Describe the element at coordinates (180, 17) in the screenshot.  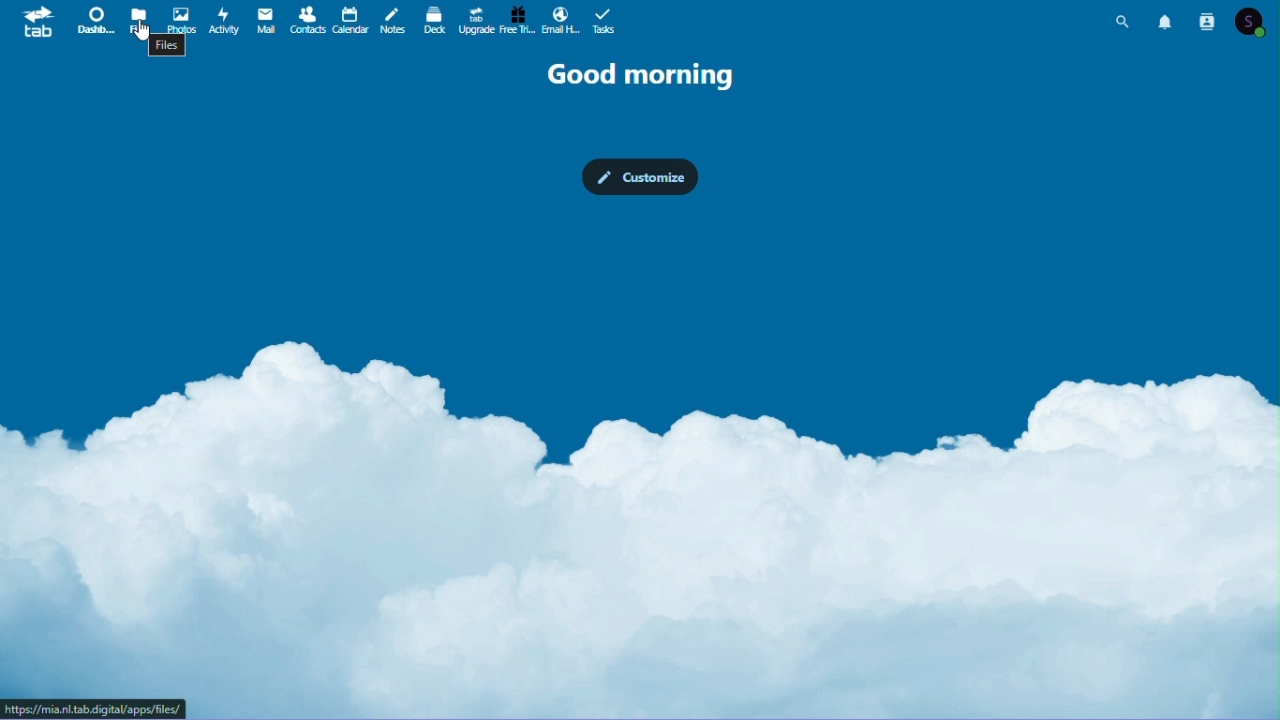
I see `photos` at that location.